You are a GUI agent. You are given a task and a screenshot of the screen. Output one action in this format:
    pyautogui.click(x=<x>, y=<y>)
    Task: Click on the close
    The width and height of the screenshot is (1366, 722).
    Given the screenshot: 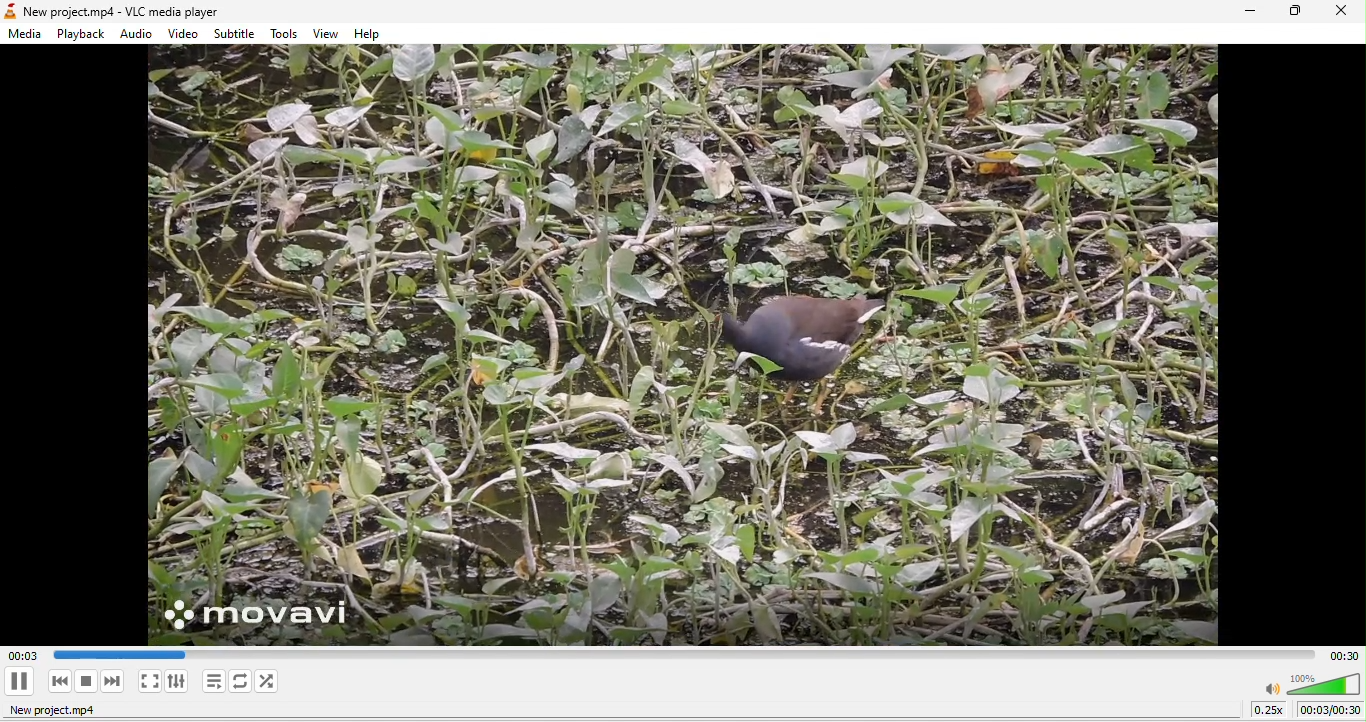 What is the action you would take?
    pyautogui.click(x=1342, y=14)
    